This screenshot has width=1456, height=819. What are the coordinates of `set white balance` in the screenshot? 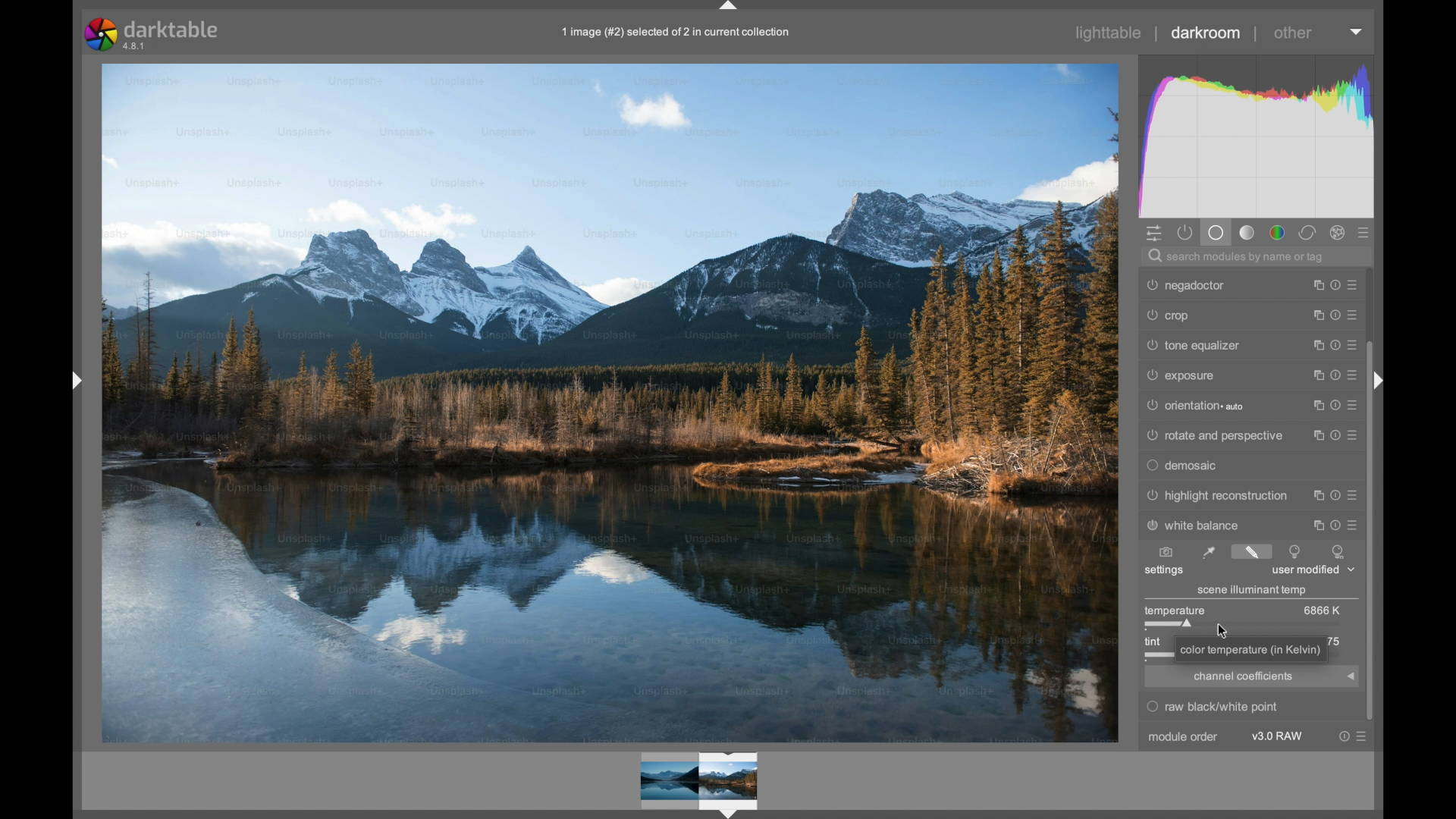 It's located at (1166, 551).